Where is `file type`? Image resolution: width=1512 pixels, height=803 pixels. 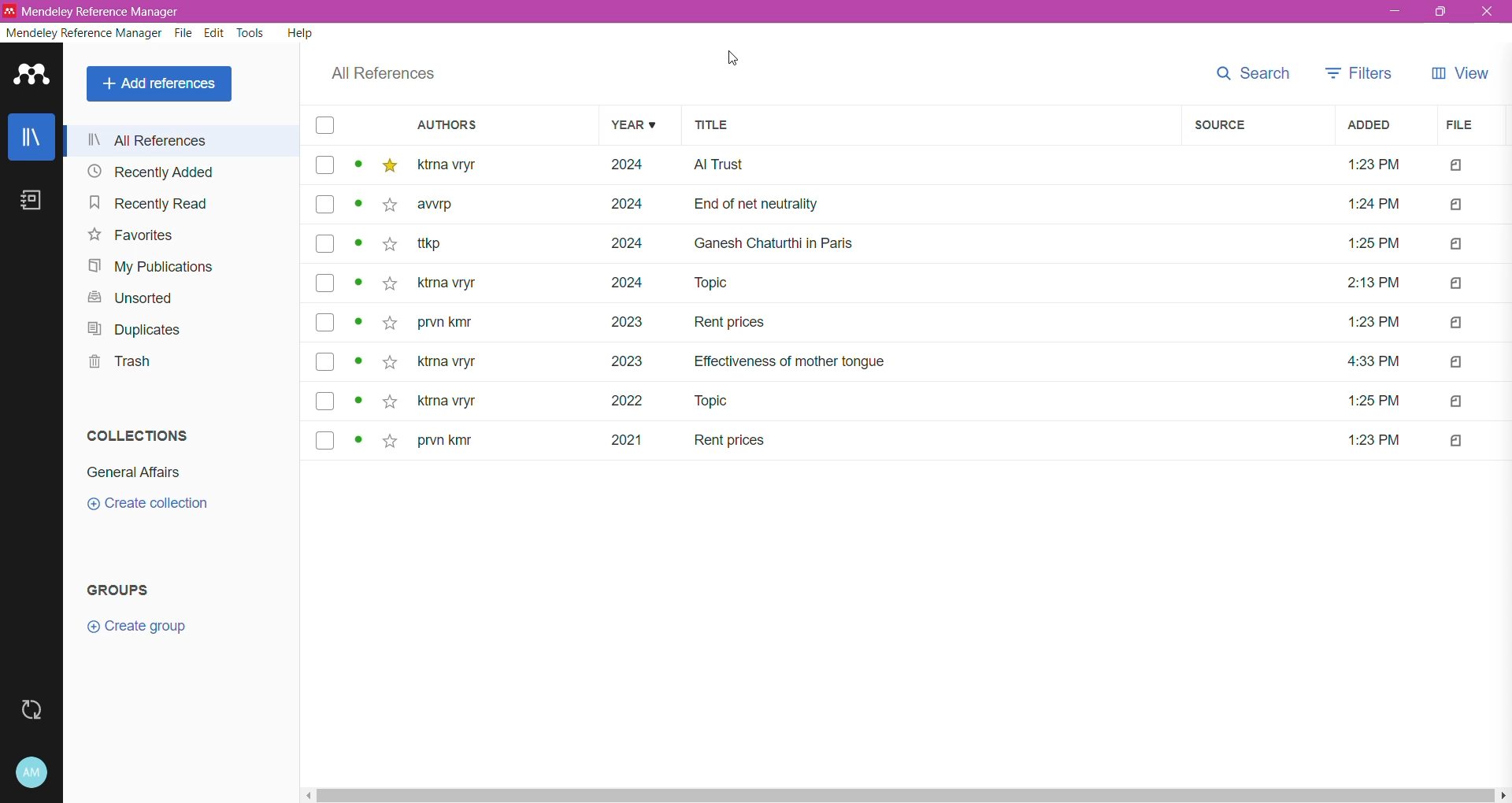
file type is located at coordinates (1458, 283).